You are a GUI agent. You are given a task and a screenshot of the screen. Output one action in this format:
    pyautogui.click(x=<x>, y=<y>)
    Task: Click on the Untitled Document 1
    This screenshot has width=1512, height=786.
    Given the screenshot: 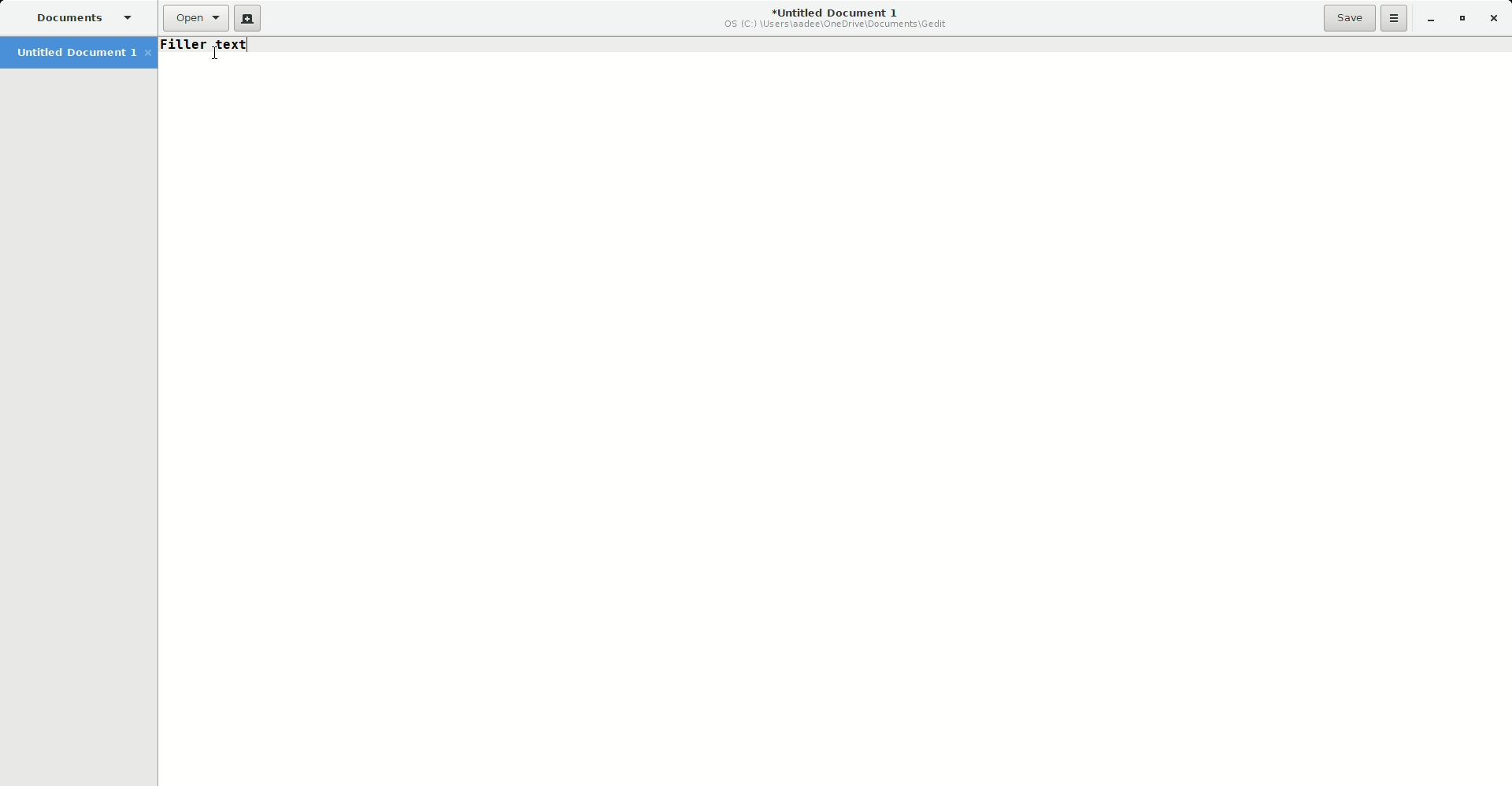 What is the action you would take?
    pyautogui.click(x=837, y=20)
    